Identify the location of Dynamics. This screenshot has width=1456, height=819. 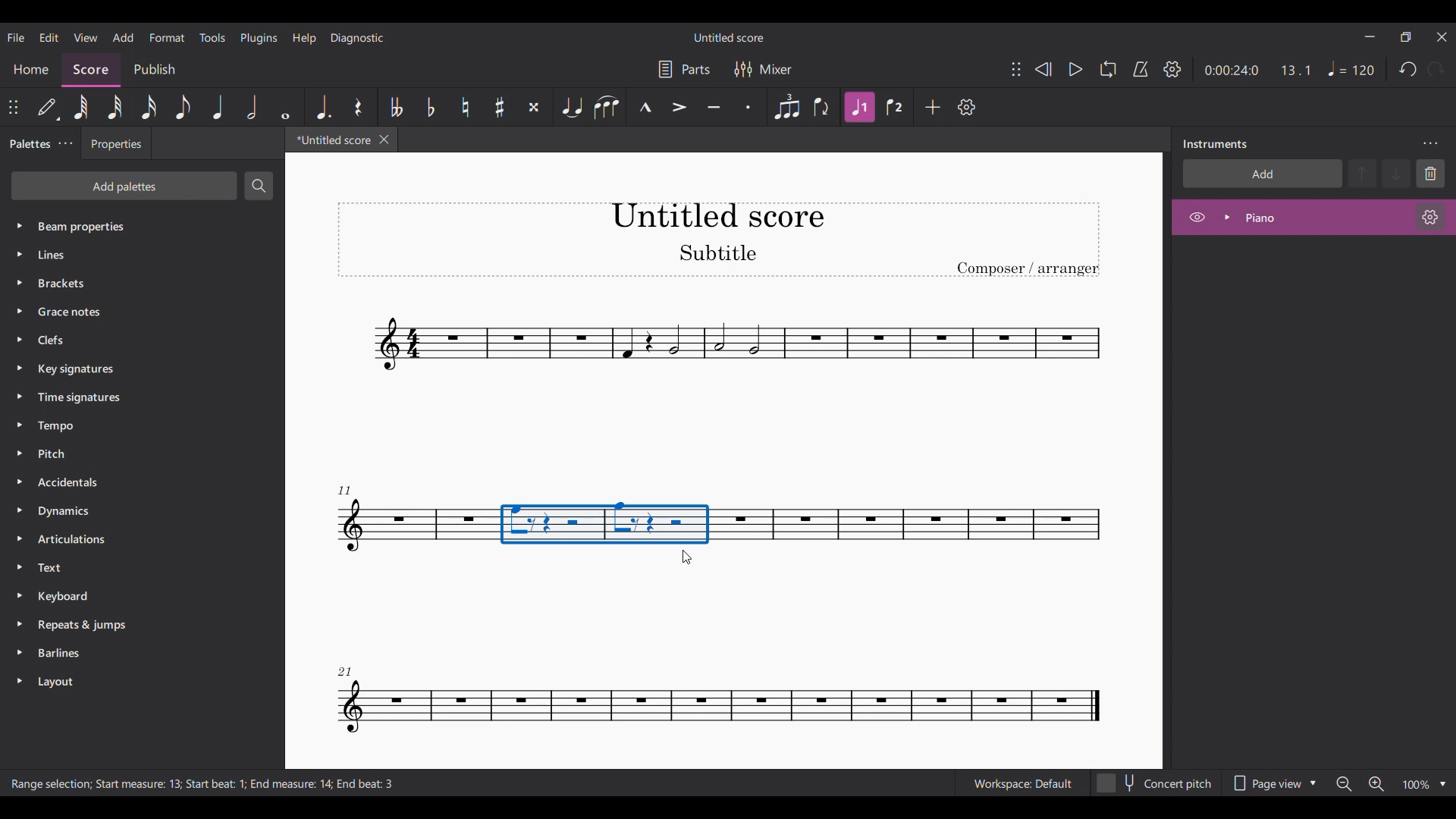
(127, 513).